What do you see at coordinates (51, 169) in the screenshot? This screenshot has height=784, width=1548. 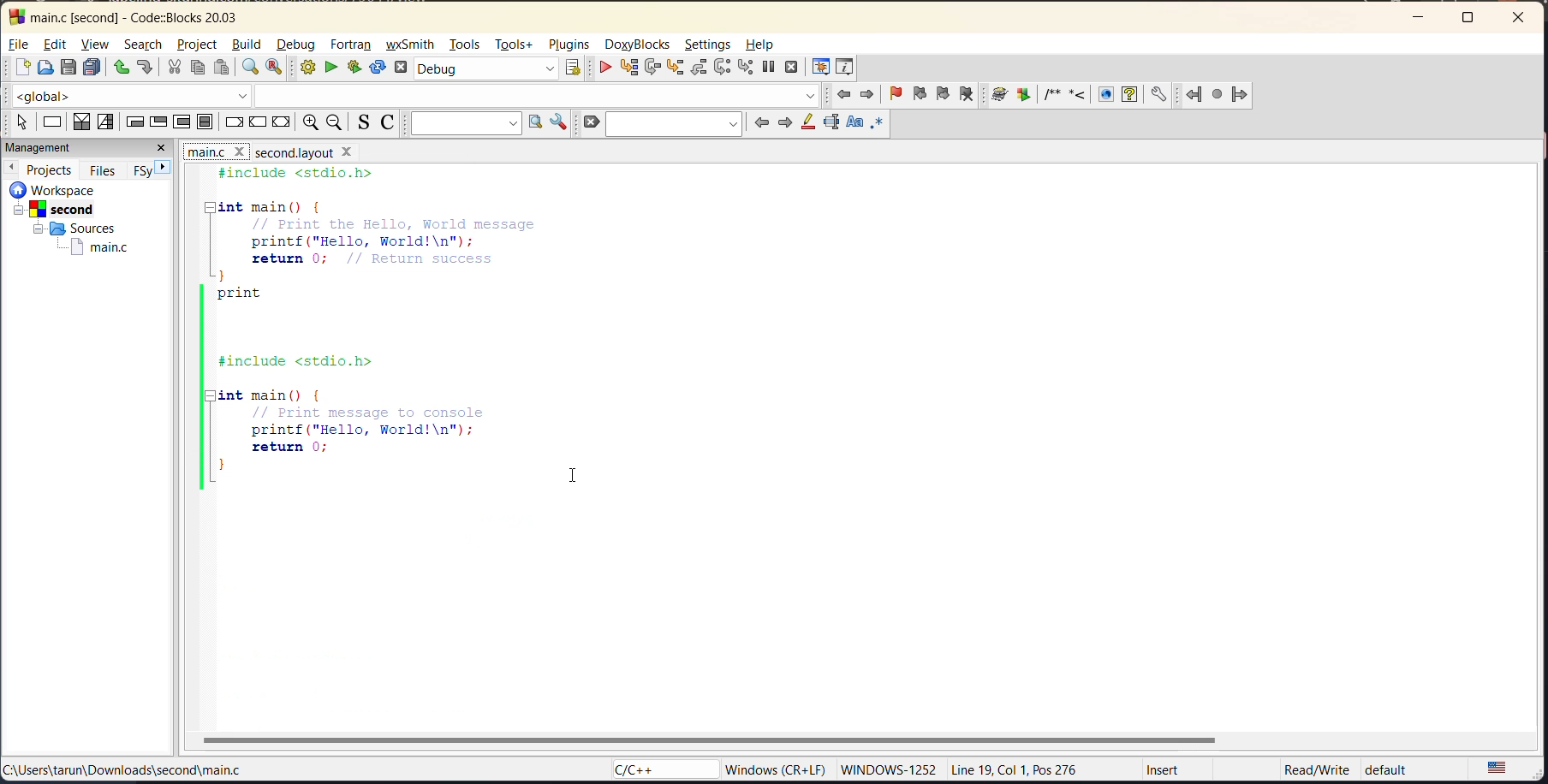 I see `projects` at bounding box center [51, 169].